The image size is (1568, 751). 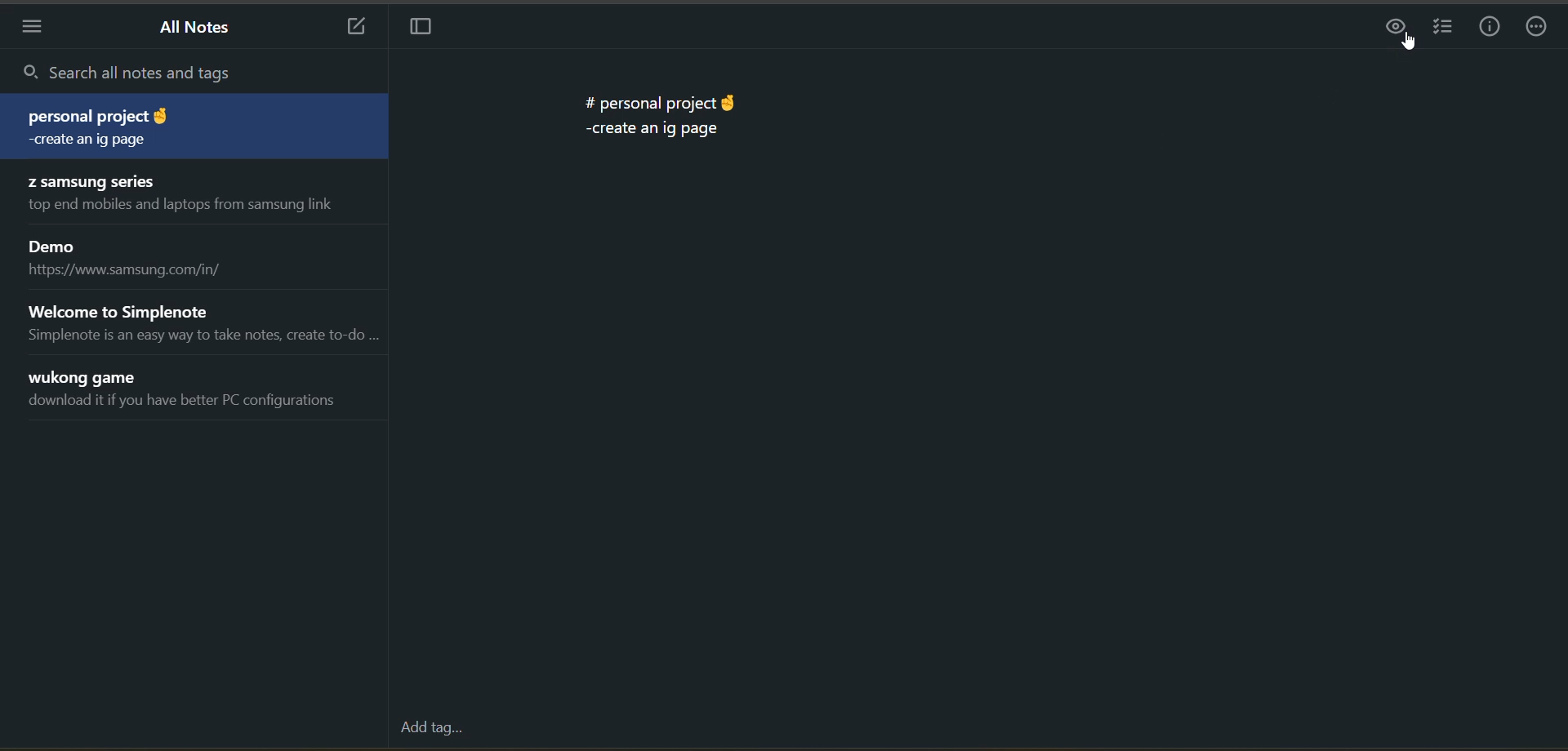 I want to click on cursor, so click(x=1410, y=42).